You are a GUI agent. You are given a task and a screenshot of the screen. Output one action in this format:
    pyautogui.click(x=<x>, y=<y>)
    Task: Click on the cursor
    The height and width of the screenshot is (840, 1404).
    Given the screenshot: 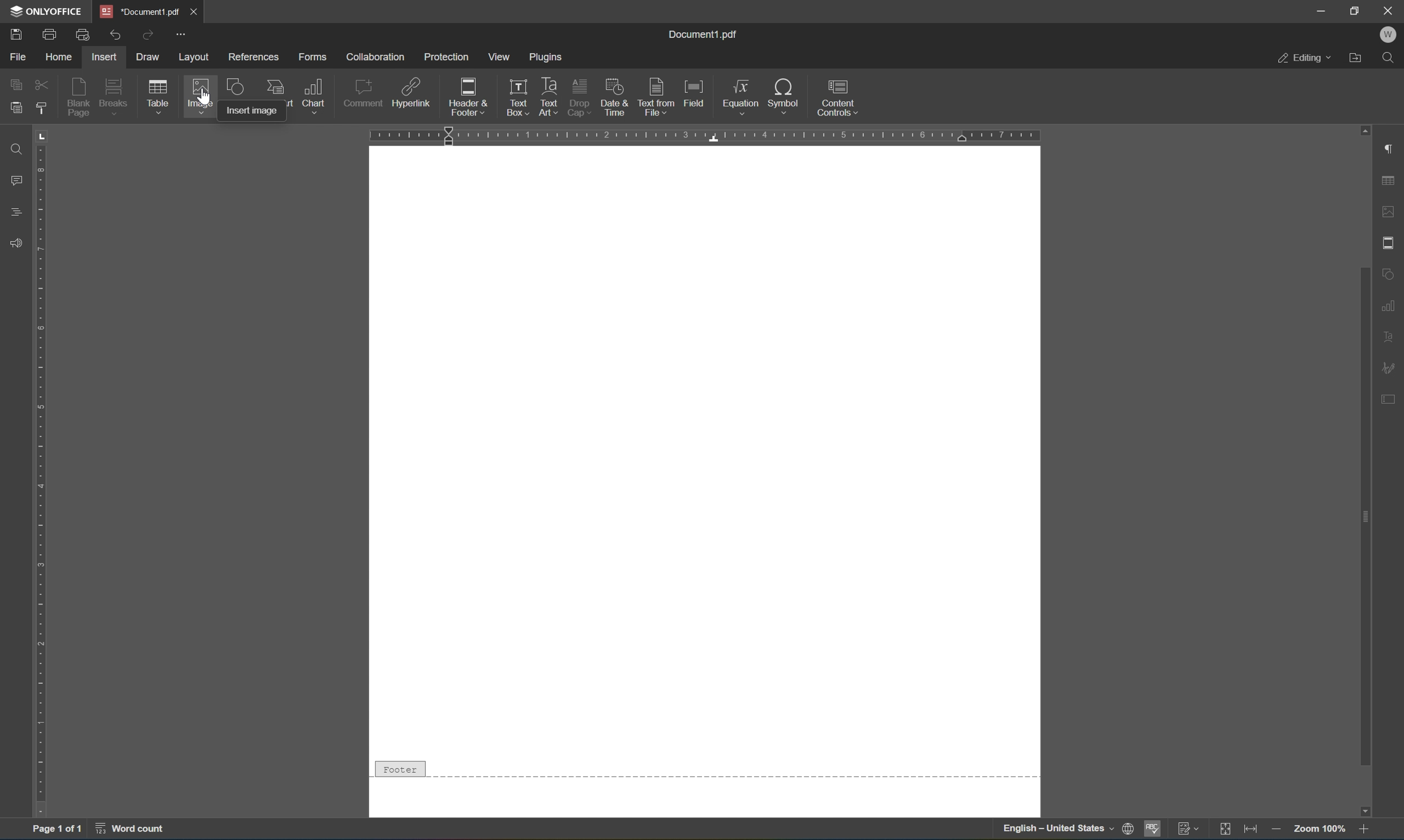 What is the action you would take?
    pyautogui.click(x=207, y=92)
    